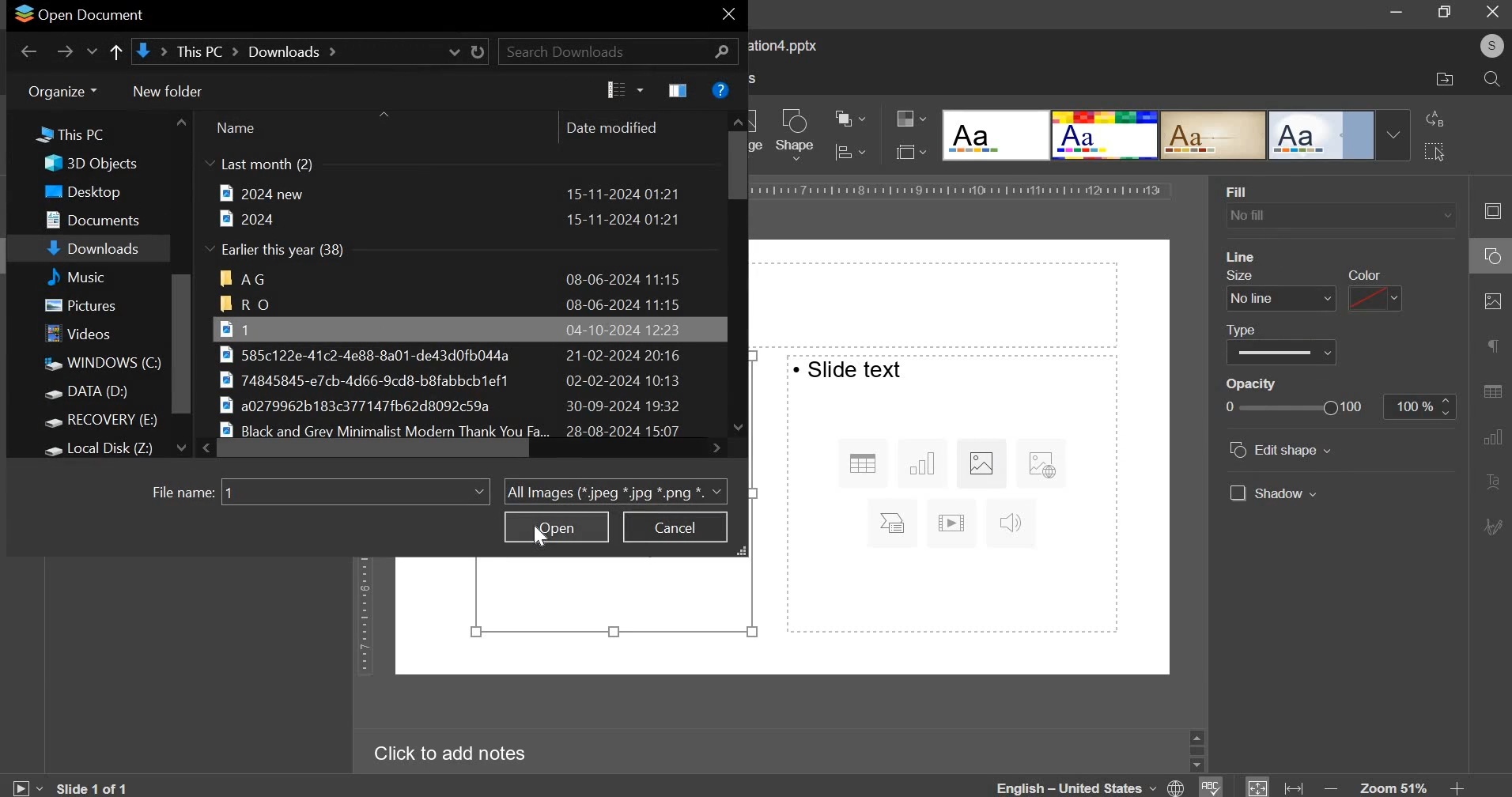 This screenshot has height=797, width=1512. Describe the element at coordinates (93, 54) in the screenshot. I see `recent locations` at that location.